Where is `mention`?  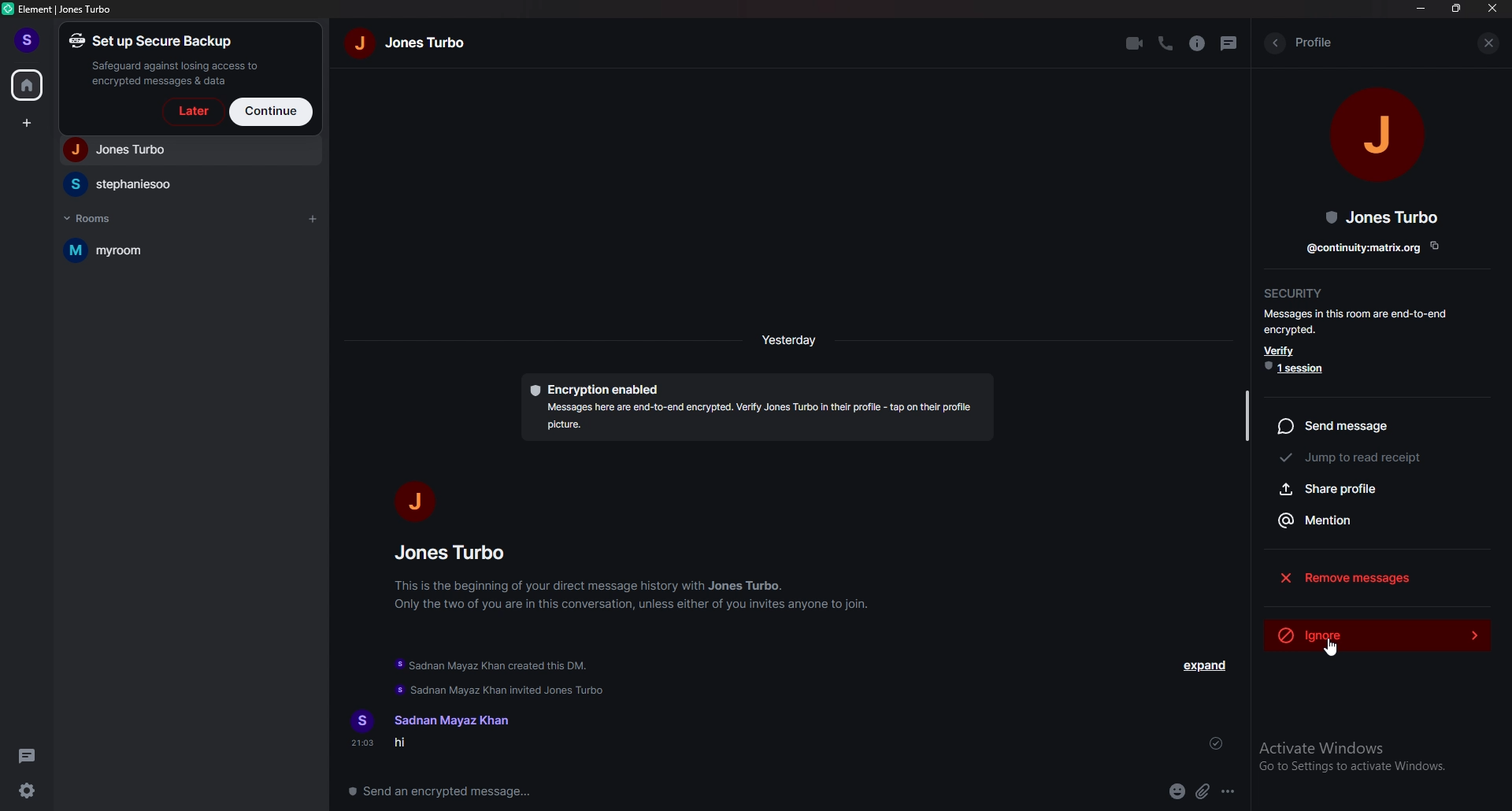 mention is located at coordinates (1372, 519).